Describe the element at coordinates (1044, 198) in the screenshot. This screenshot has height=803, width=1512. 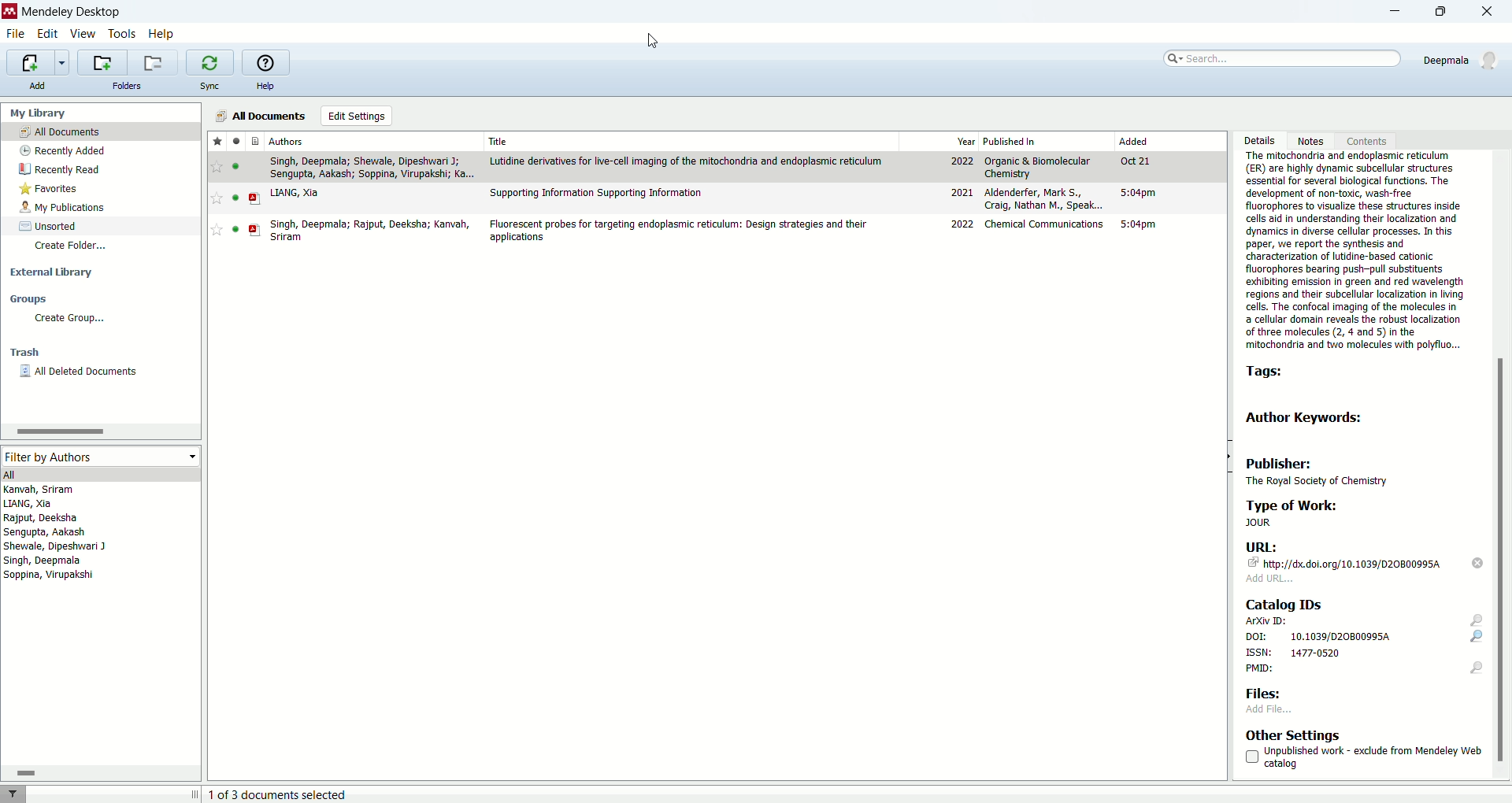
I see `aldenderfer, Mark S., Craig Nathan M., Speak...` at that location.